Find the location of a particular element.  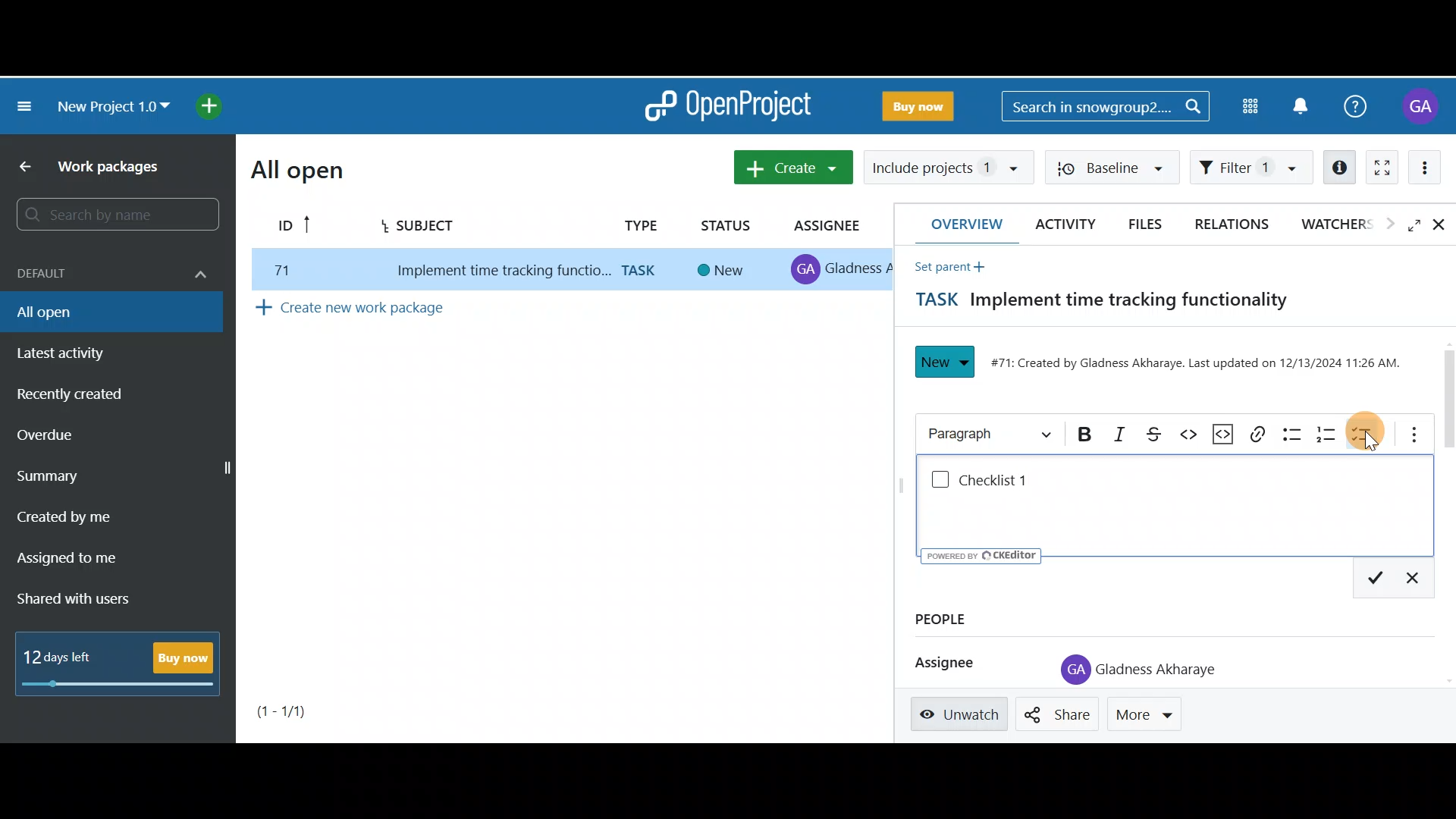

ID is located at coordinates (290, 227).